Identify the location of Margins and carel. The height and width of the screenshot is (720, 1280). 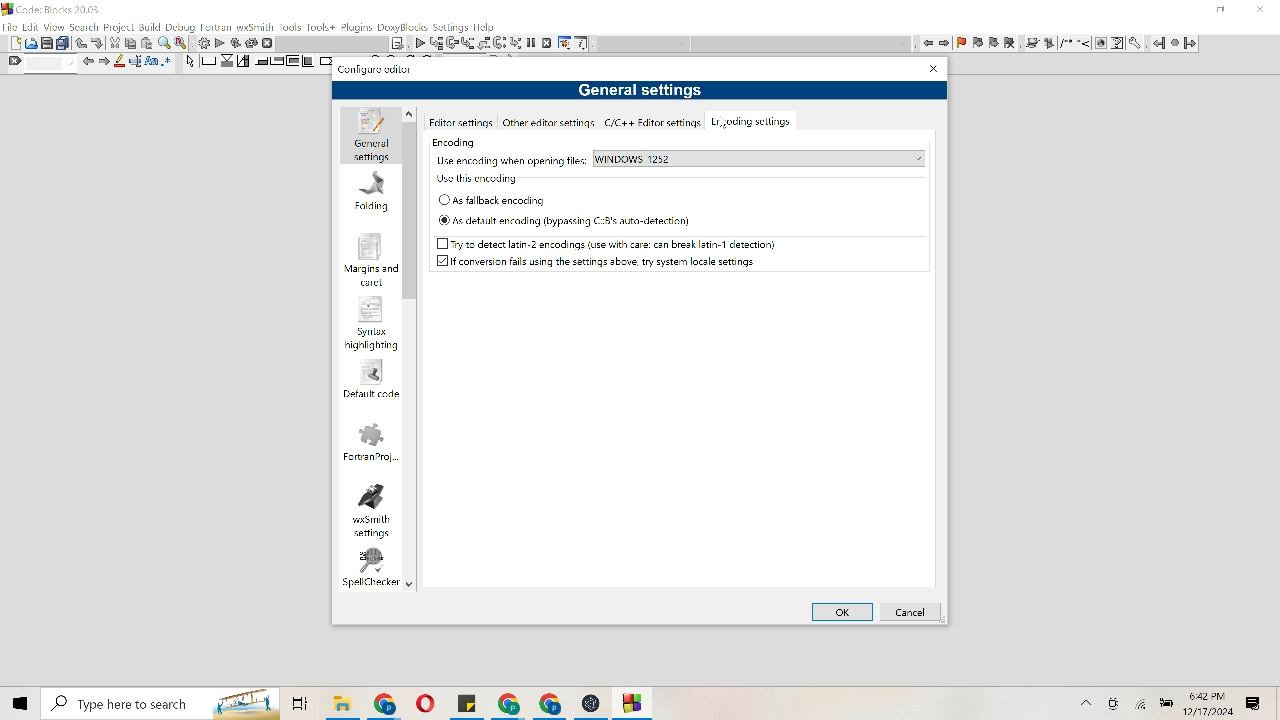
(370, 260).